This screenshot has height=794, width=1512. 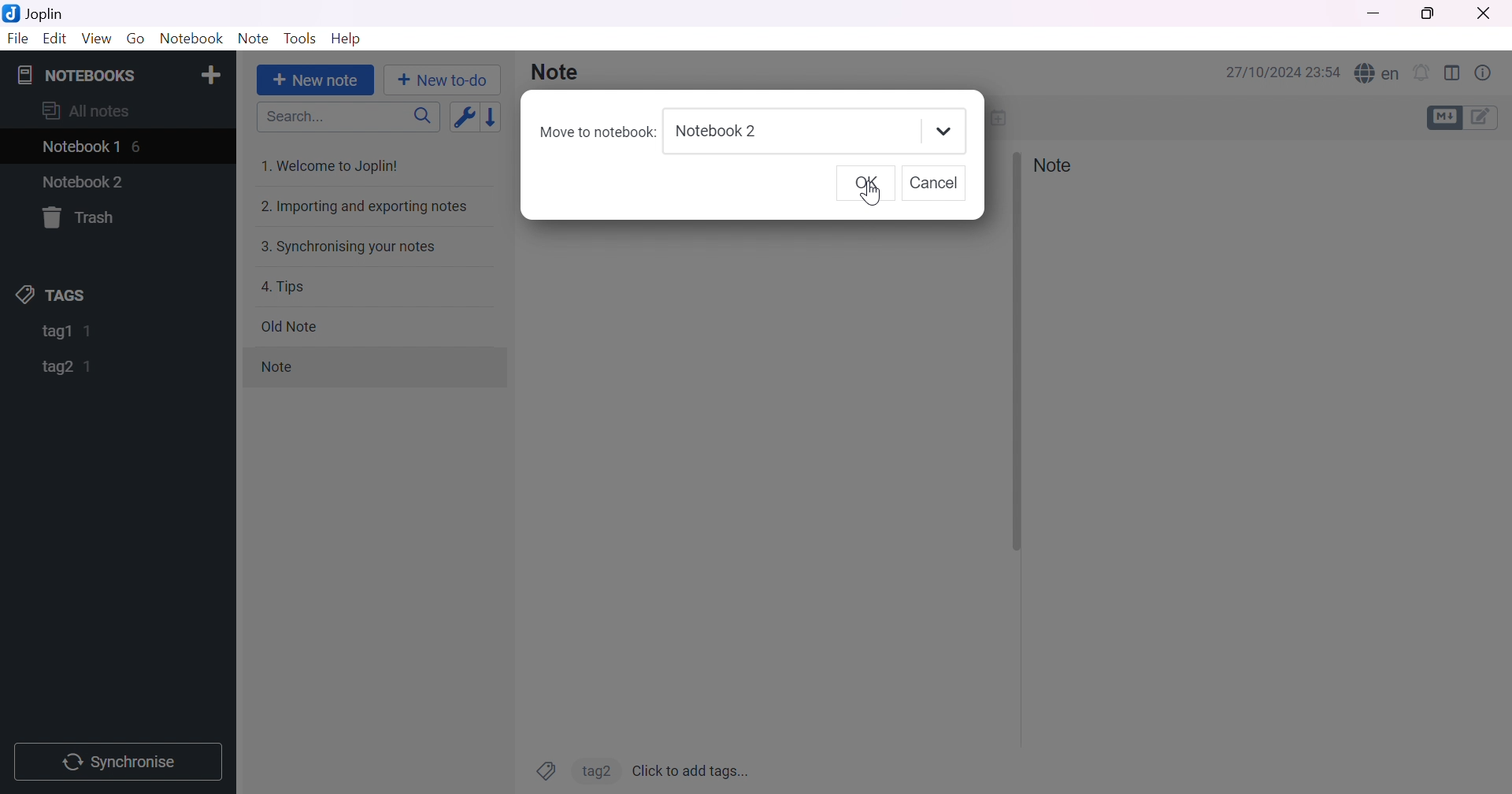 I want to click on Note, so click(x=556, y=73).